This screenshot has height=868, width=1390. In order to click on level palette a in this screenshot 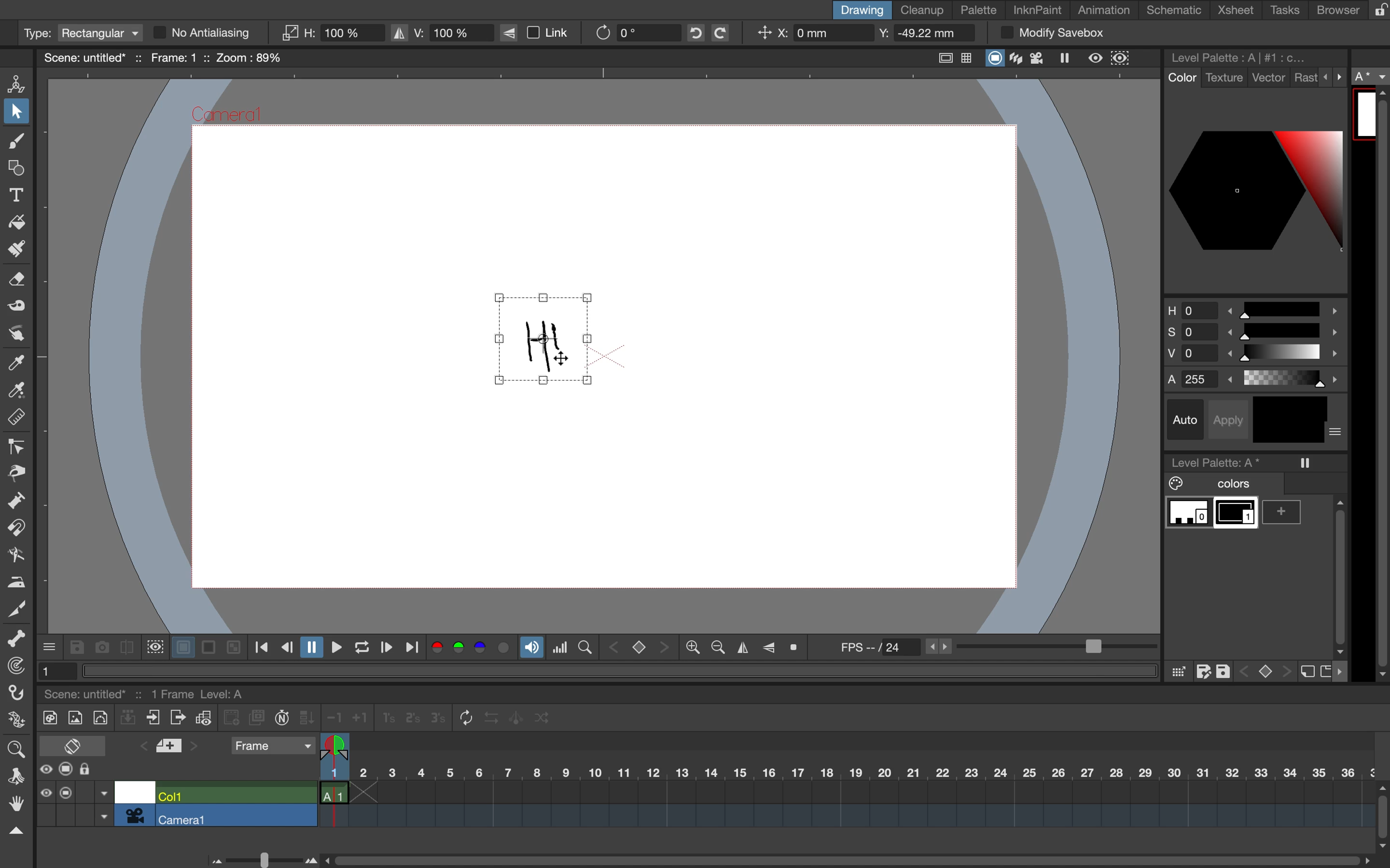, I will do `click(1220, 460)`.